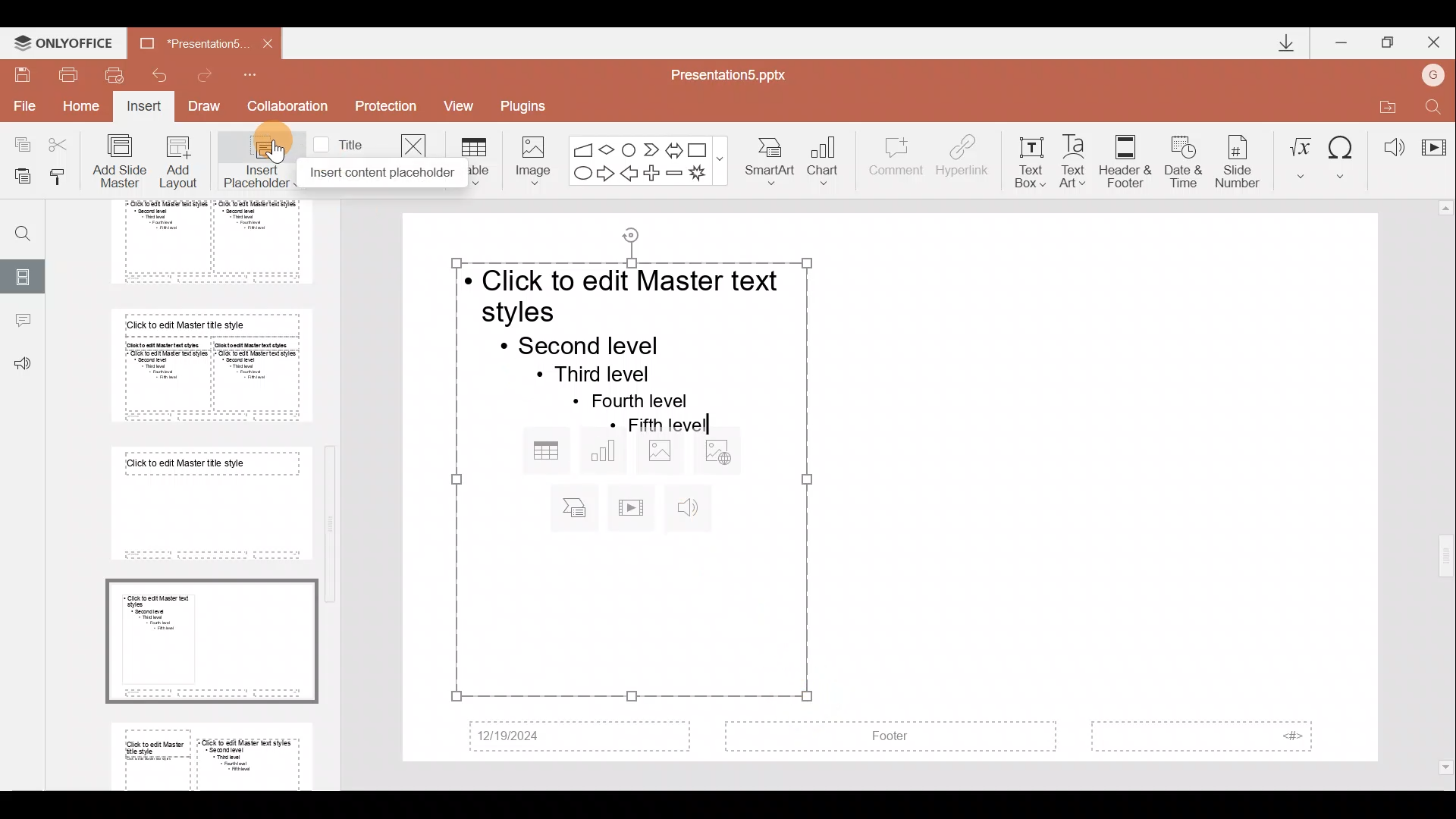 The image size is (1456, 819). What do you see at coordinates (675, 173) in the screenshot?
I see `Minus` at bounding box center [675, 173].